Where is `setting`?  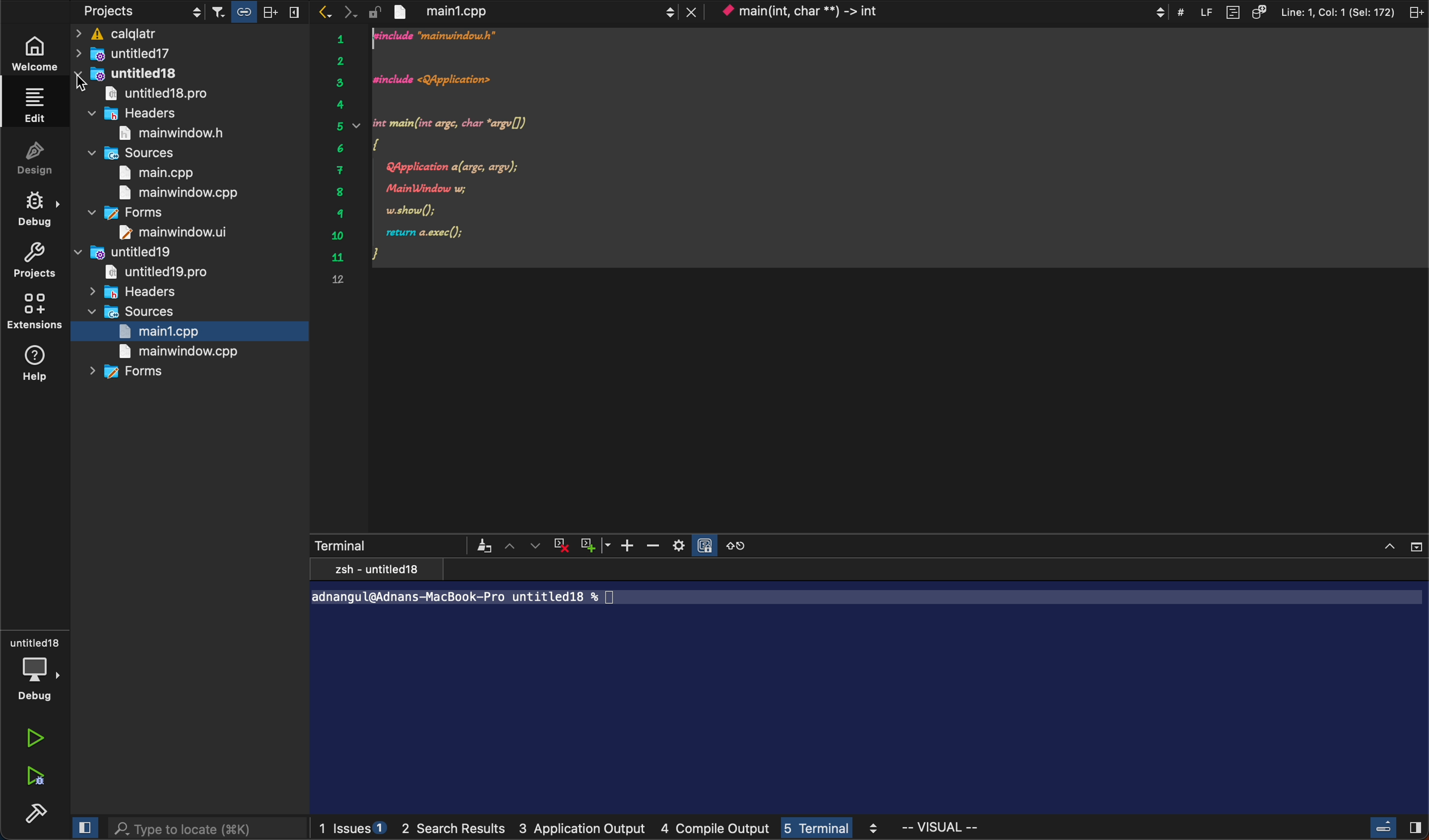 setting is located at coordinates (694, 546).